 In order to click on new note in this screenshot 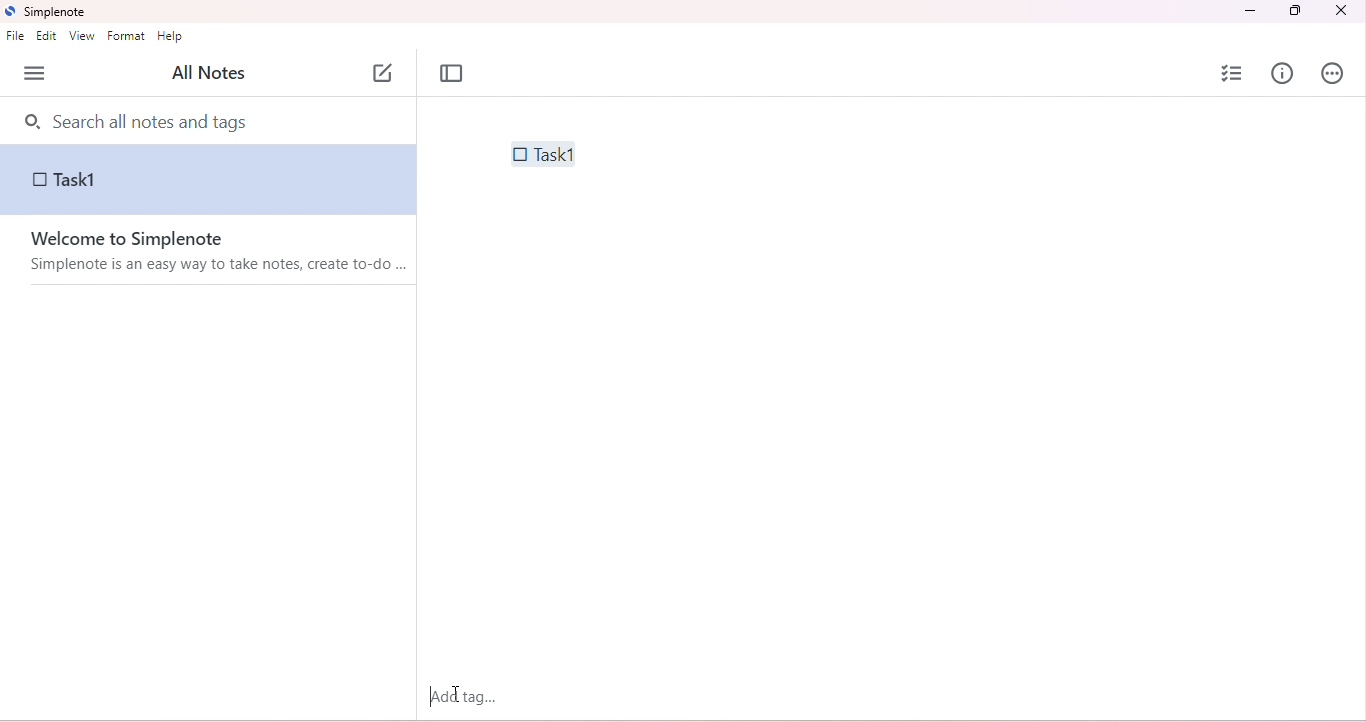, I will do `click(384, 70)`.